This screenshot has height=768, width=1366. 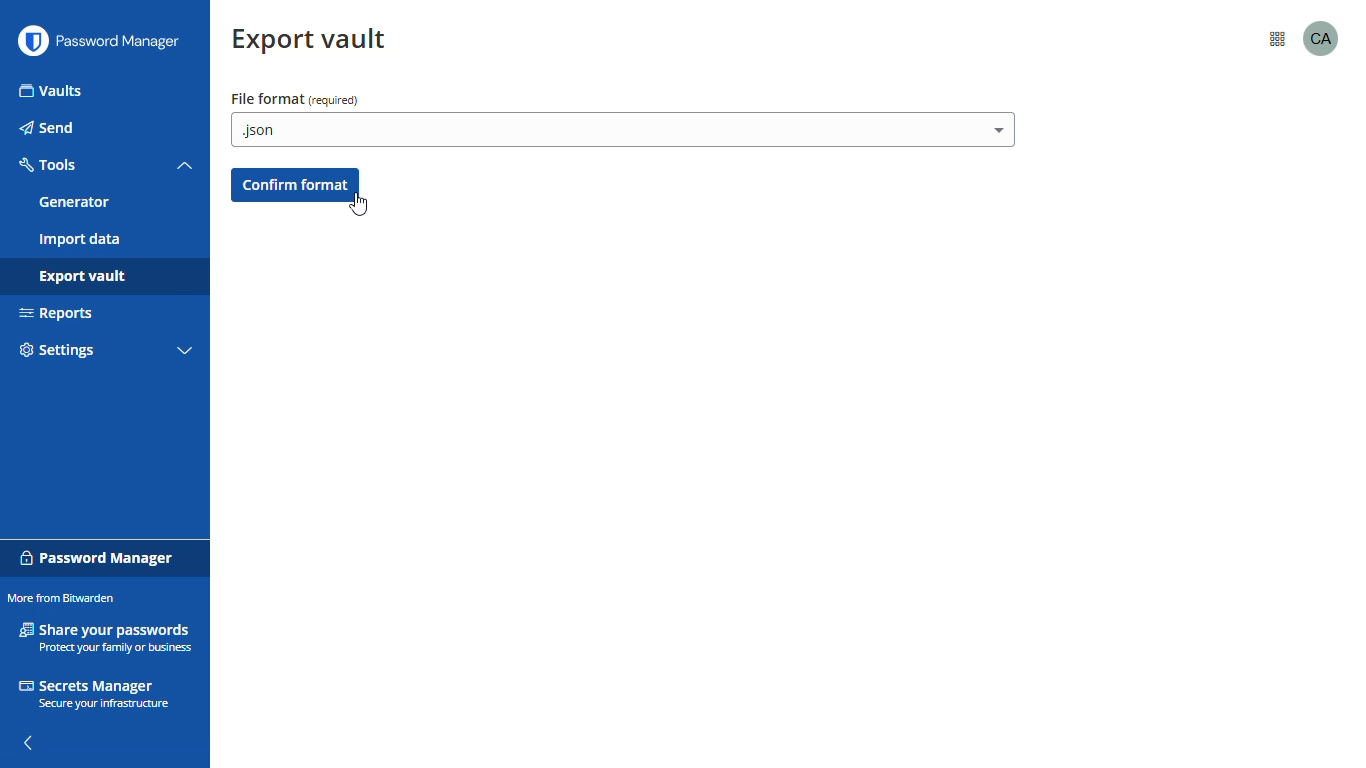 What do you see at coordinates (1322, 37) in the screenshot?
I see `profile` at bounding box center [1322, 37].